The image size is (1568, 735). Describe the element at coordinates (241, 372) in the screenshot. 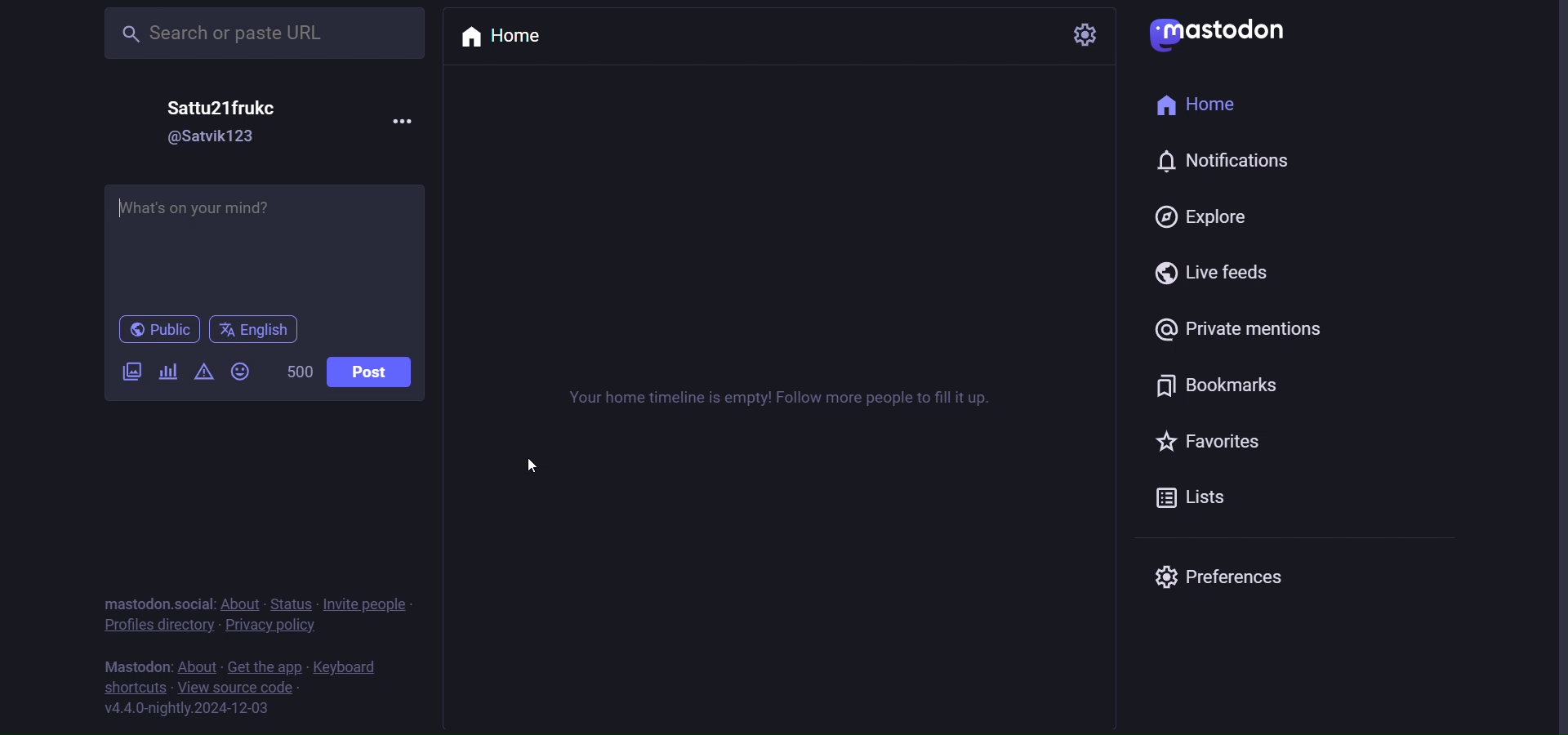

I see `emoji` at that location.